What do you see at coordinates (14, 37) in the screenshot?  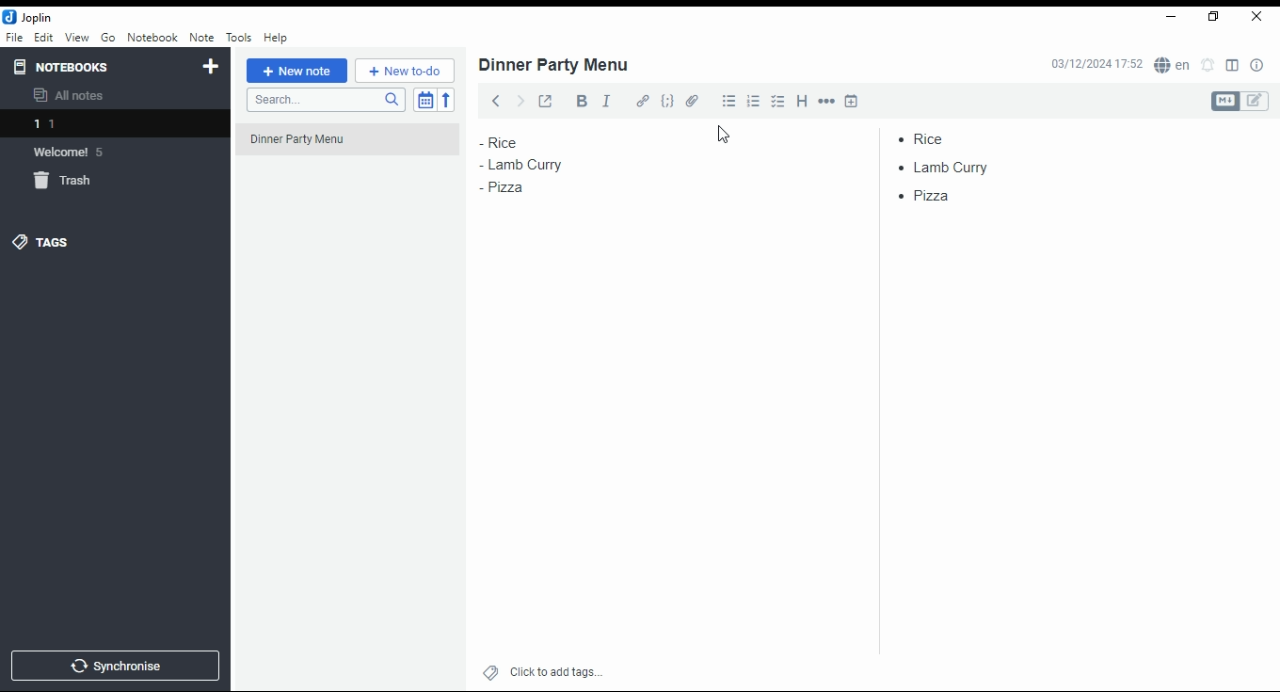 I see `file` at bounding box center [14, 37].